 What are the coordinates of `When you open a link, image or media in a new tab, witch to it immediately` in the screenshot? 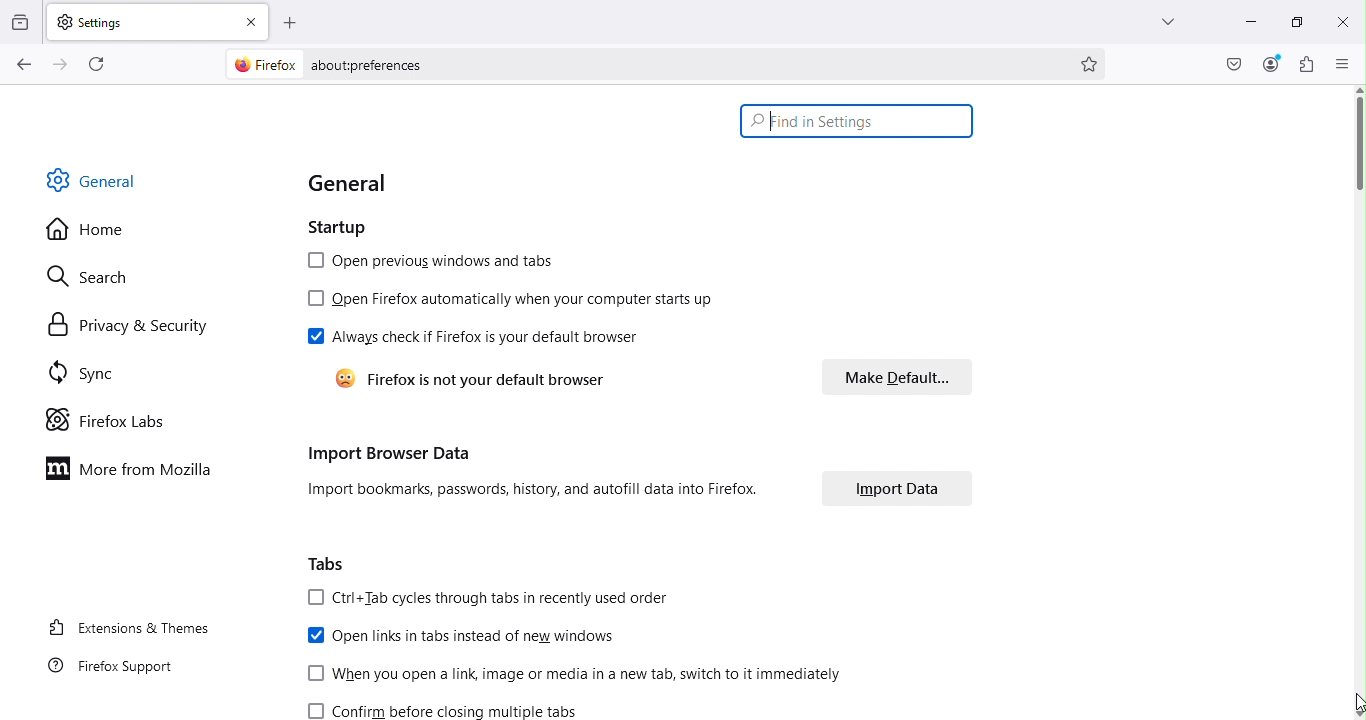 It's located at (572, 673).